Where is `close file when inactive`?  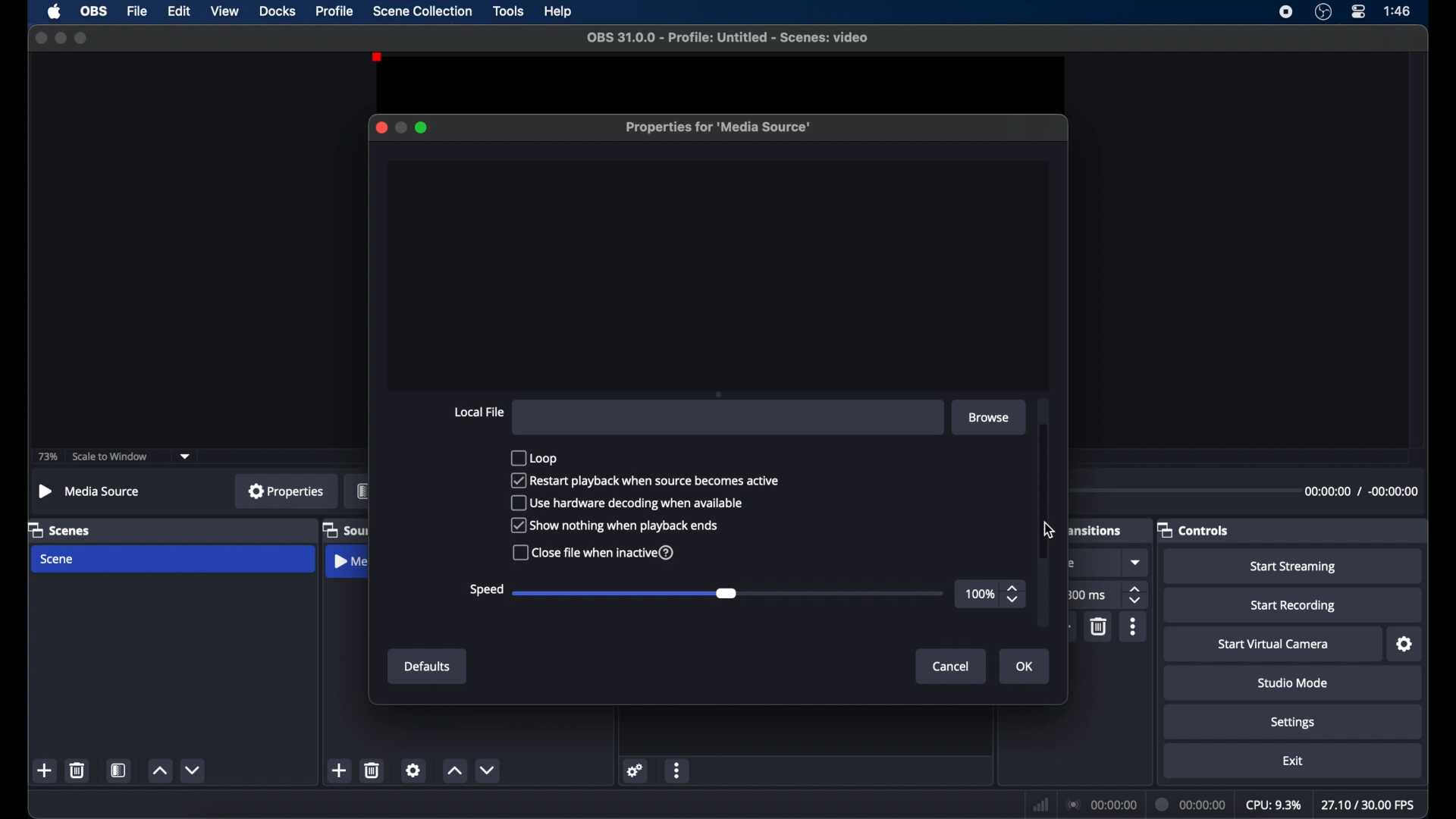
close file when inactive is located at coordinates (592, 552).